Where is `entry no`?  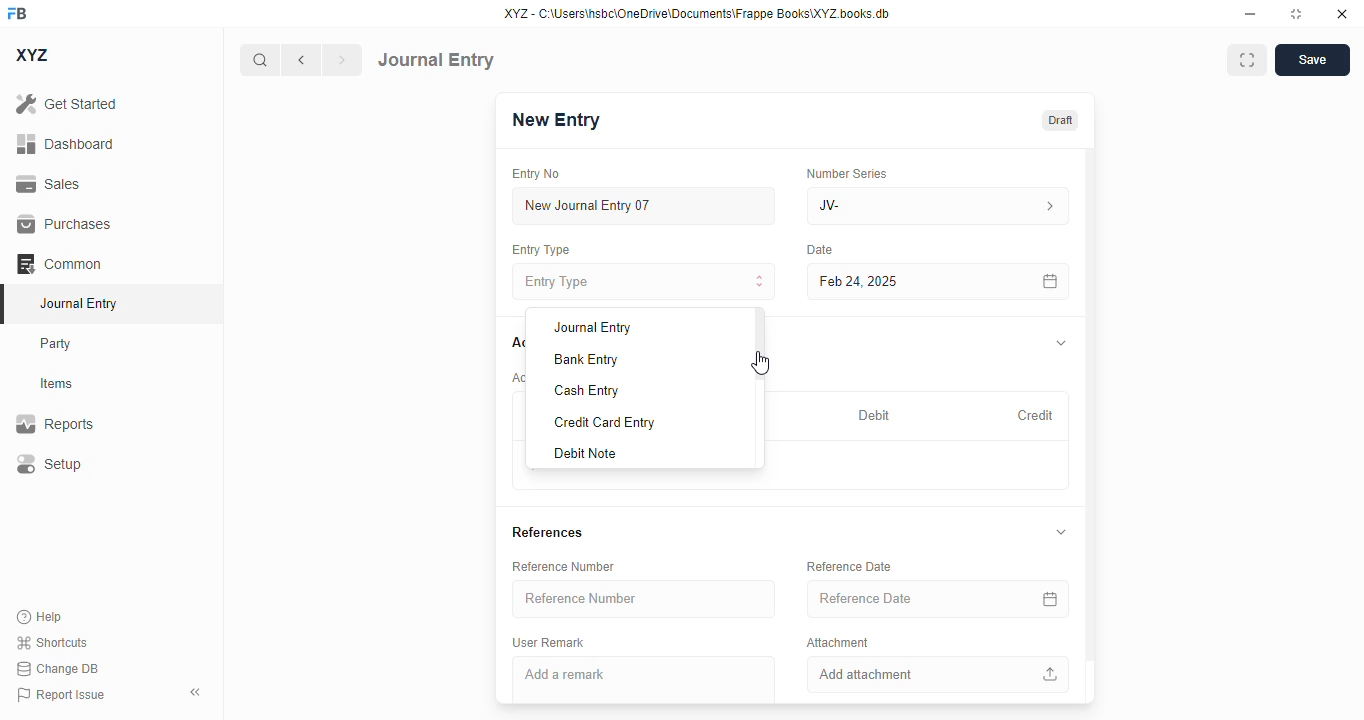
entry no is located at coordinates (537, 173).